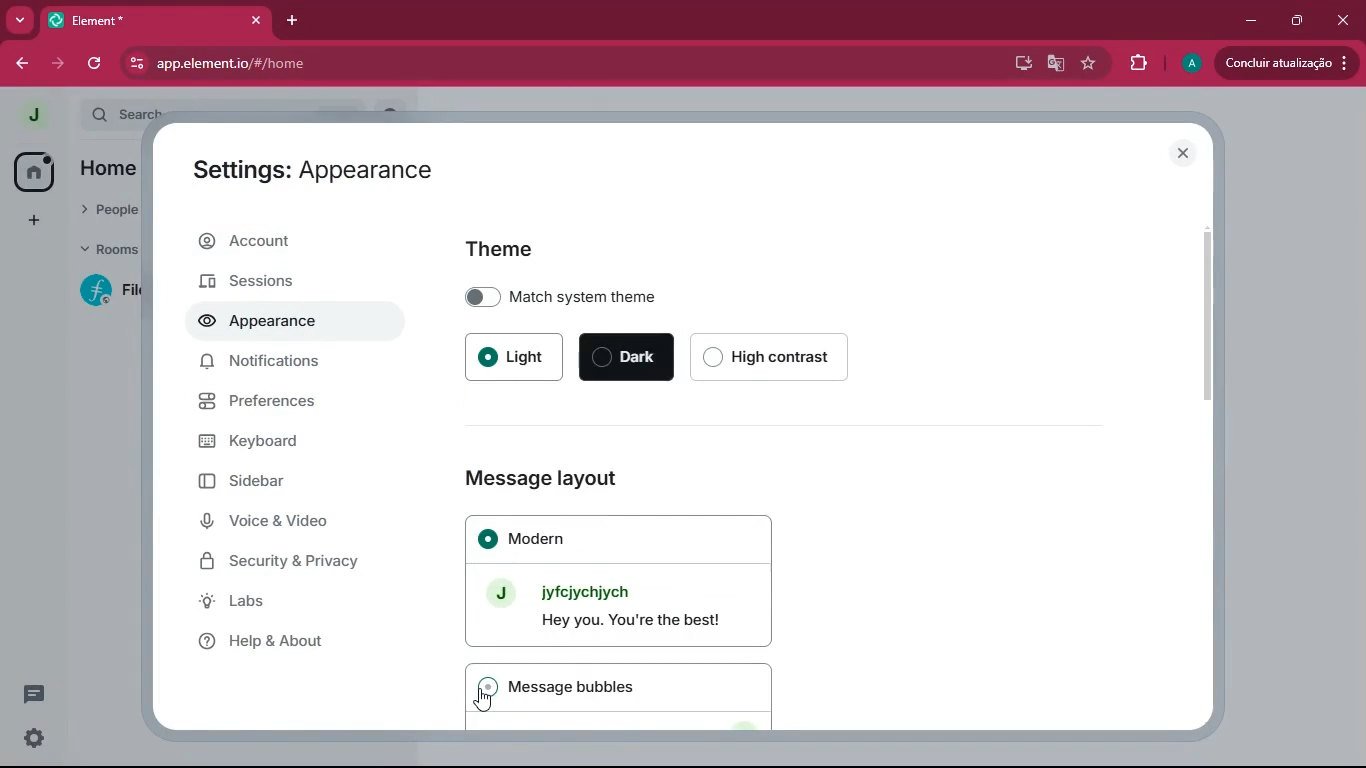 This screenshot has height=768, width=1366. I want to click on quick settings, so click(32, 738).